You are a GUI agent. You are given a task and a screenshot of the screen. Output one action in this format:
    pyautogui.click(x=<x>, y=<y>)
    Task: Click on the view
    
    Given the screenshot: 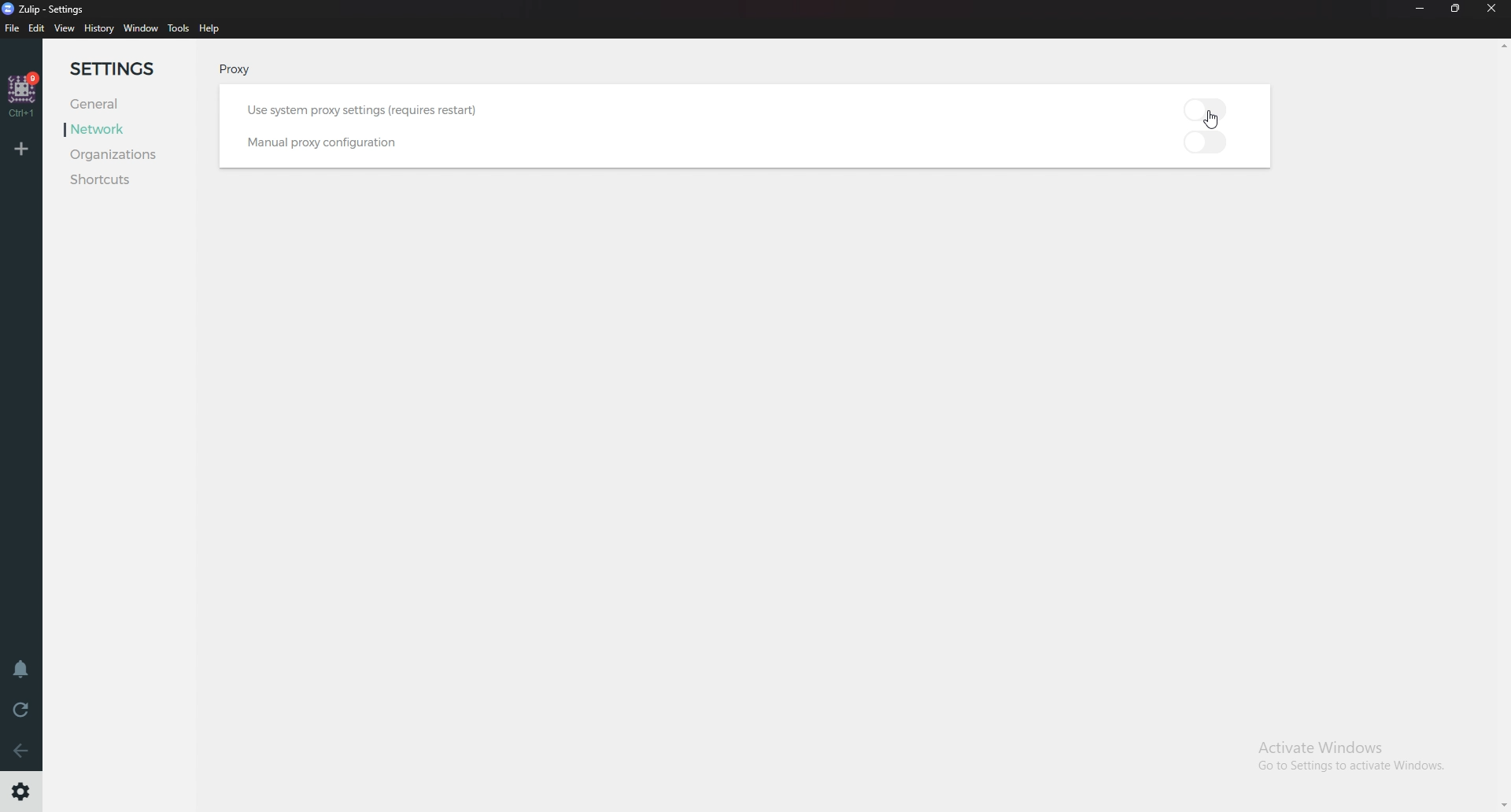 What is the action you would take?
    pyautogui.click(x=65, y=29)
    